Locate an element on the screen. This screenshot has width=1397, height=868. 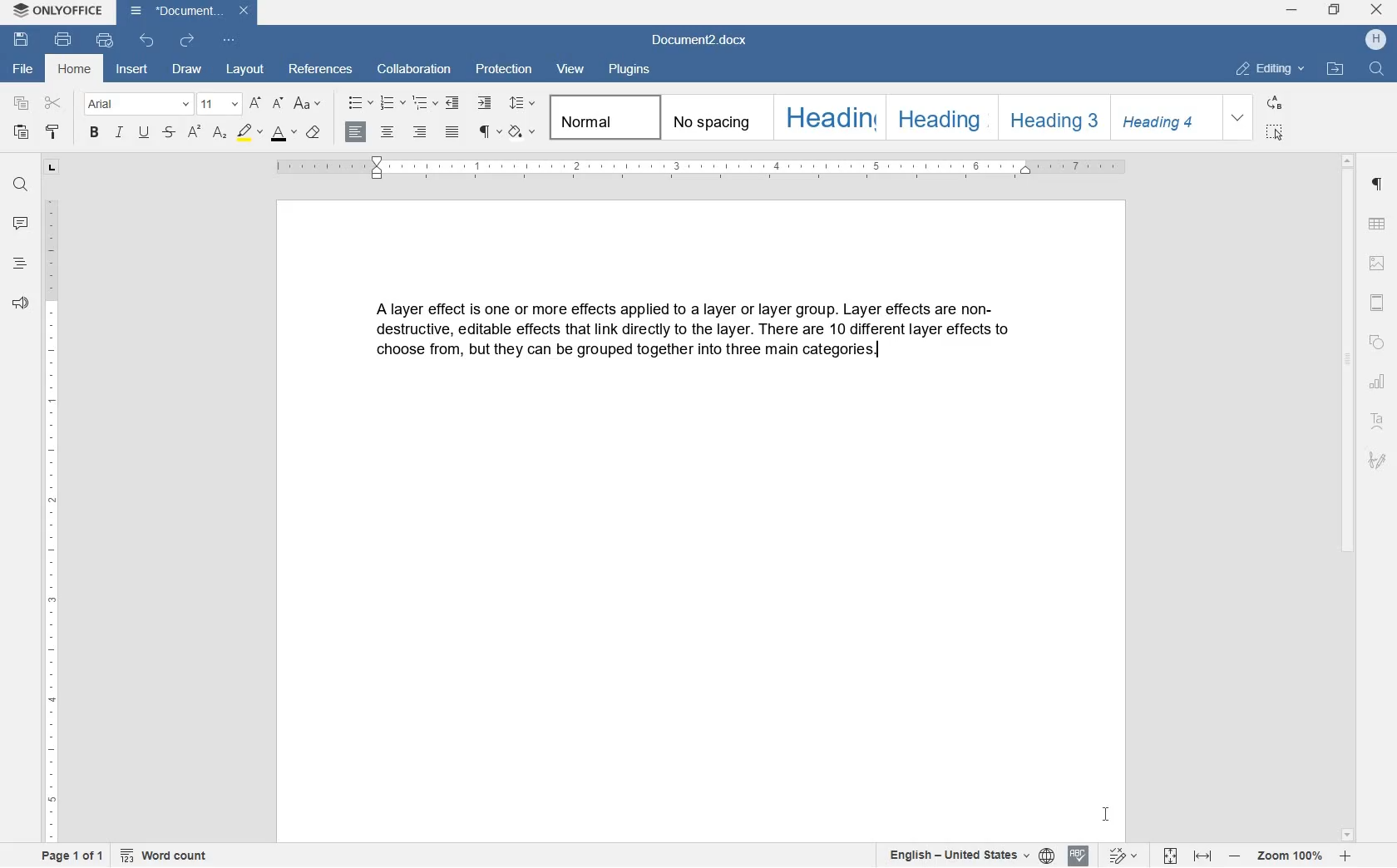
CLEAR STYLE is located at coordinates (313, 134).